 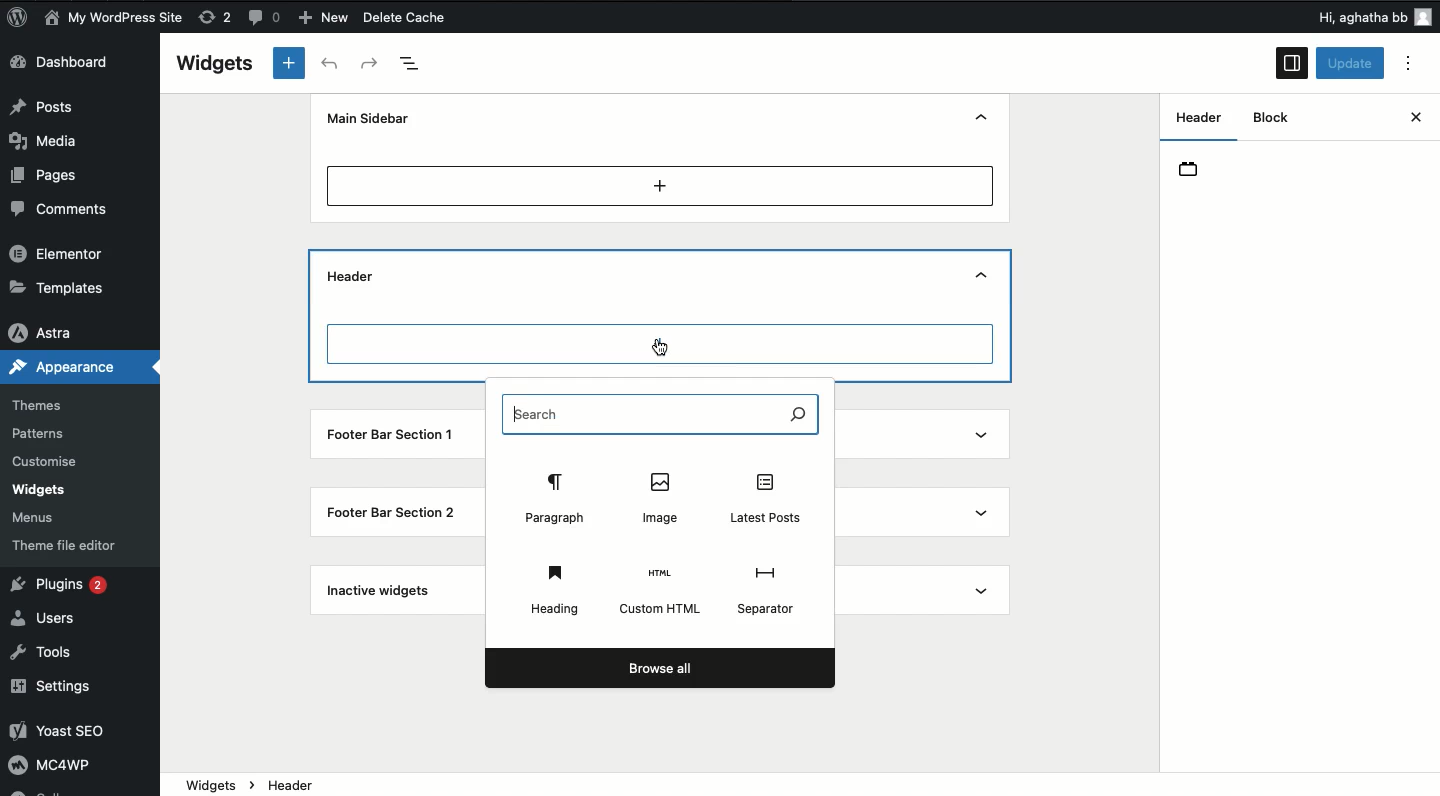 What do you see at coordinates (1291, 64) in the screenshot?
I see `Sidebar` at bounding box center [1291, 64].